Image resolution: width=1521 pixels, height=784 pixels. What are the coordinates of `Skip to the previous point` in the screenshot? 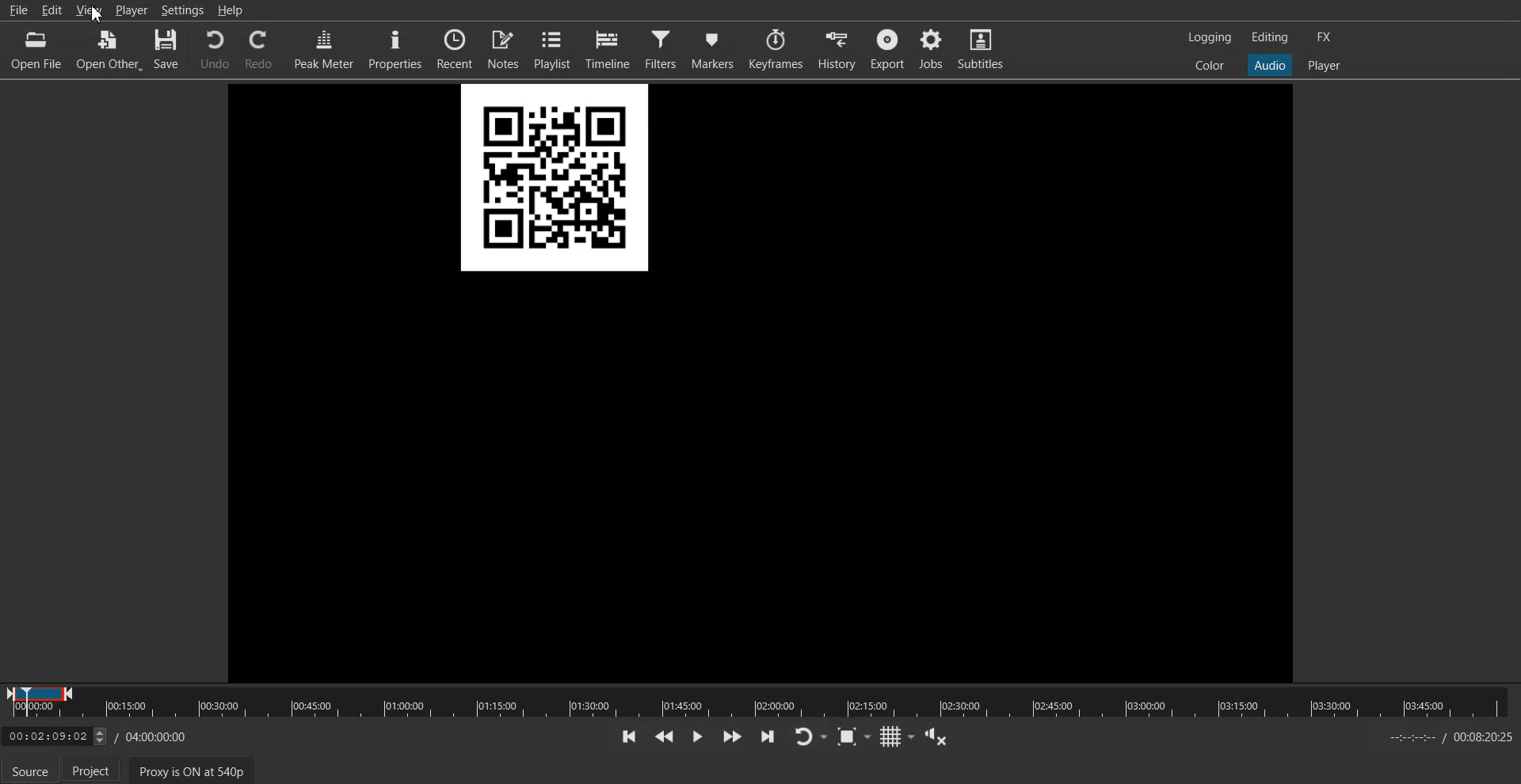 It's located at (631, 736).